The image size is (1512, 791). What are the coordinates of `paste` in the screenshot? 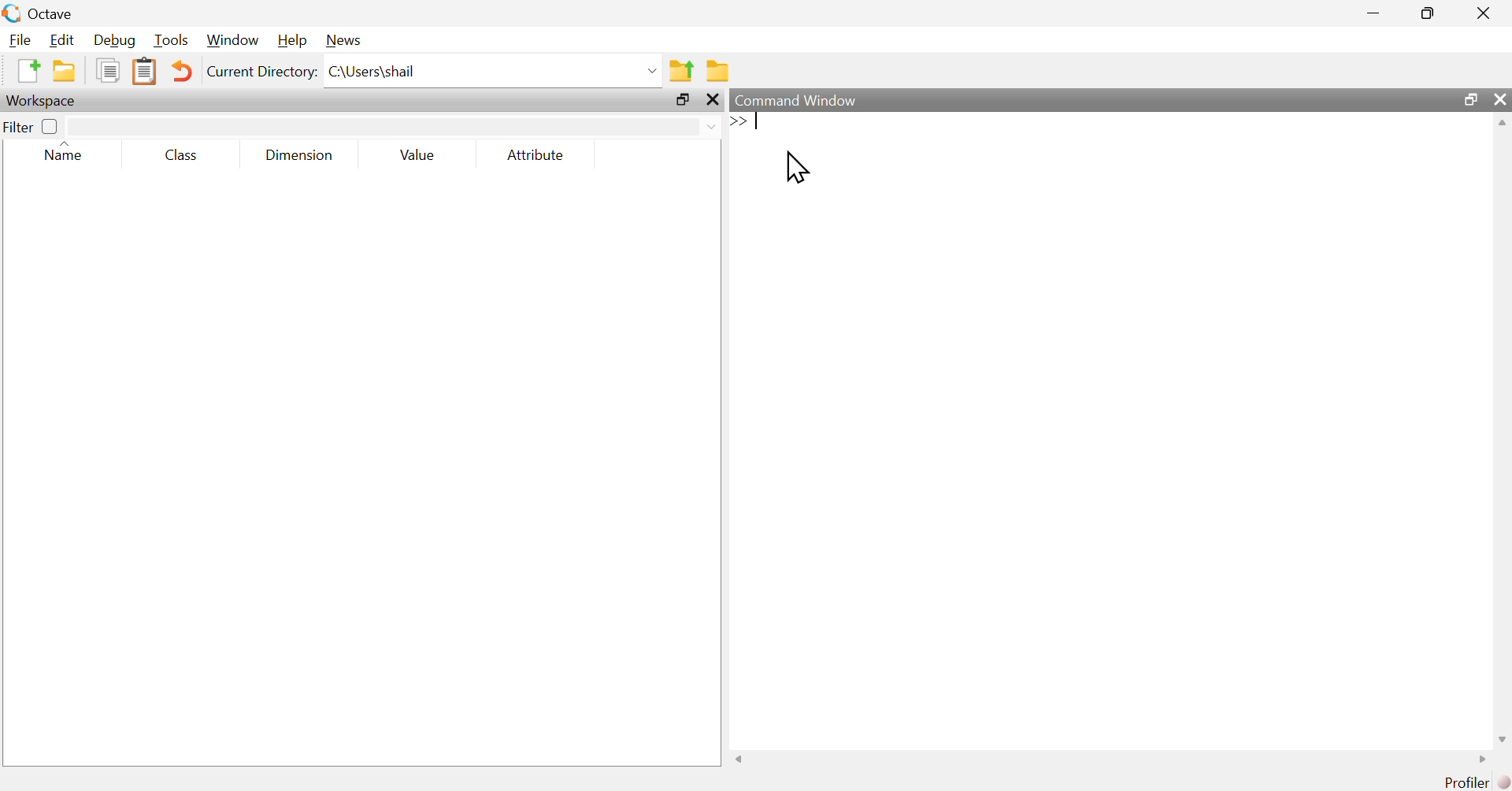 It's located at (146, 70).